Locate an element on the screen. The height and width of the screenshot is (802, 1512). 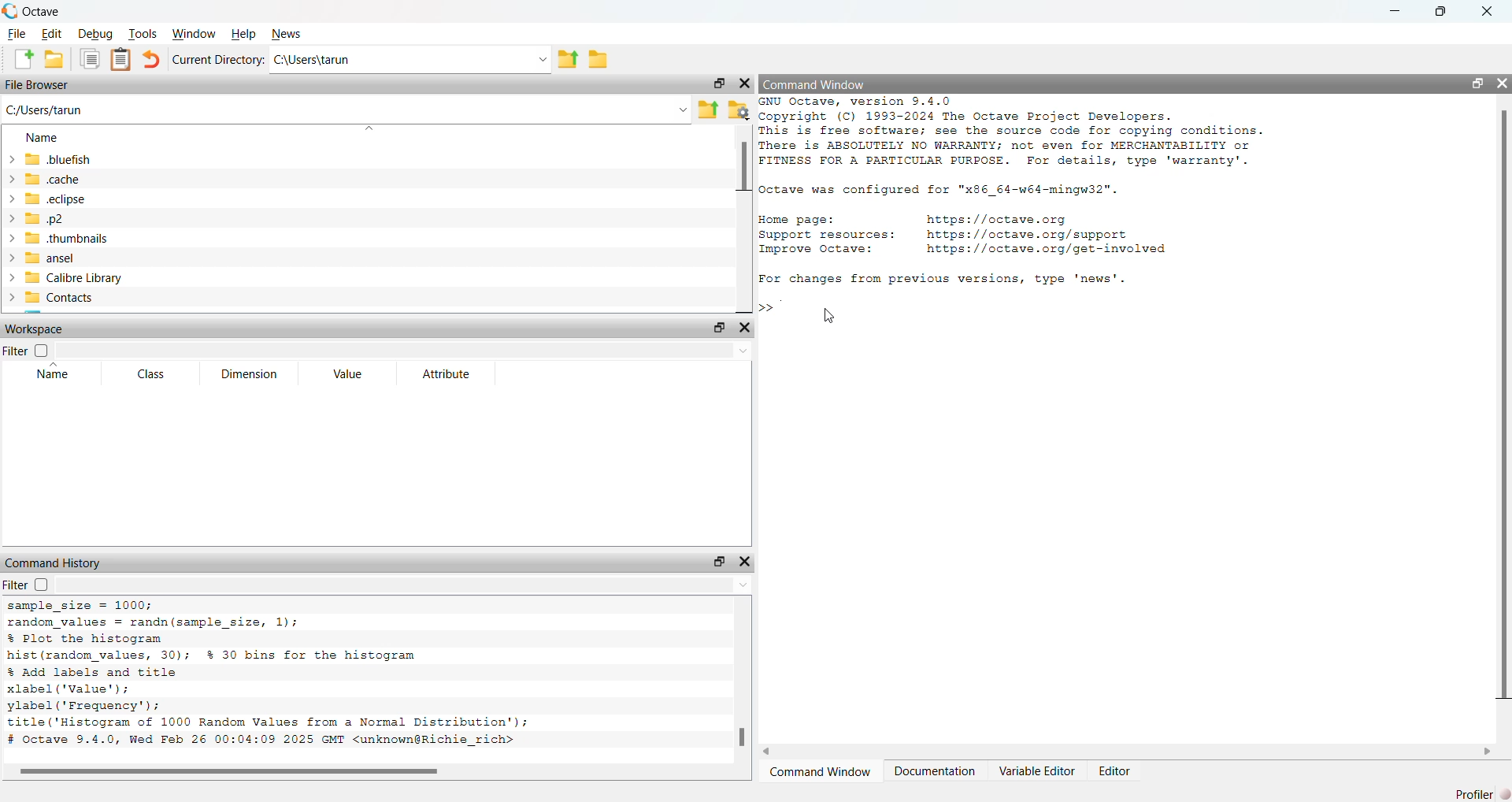
Filter is located at coordinates (26, 351).